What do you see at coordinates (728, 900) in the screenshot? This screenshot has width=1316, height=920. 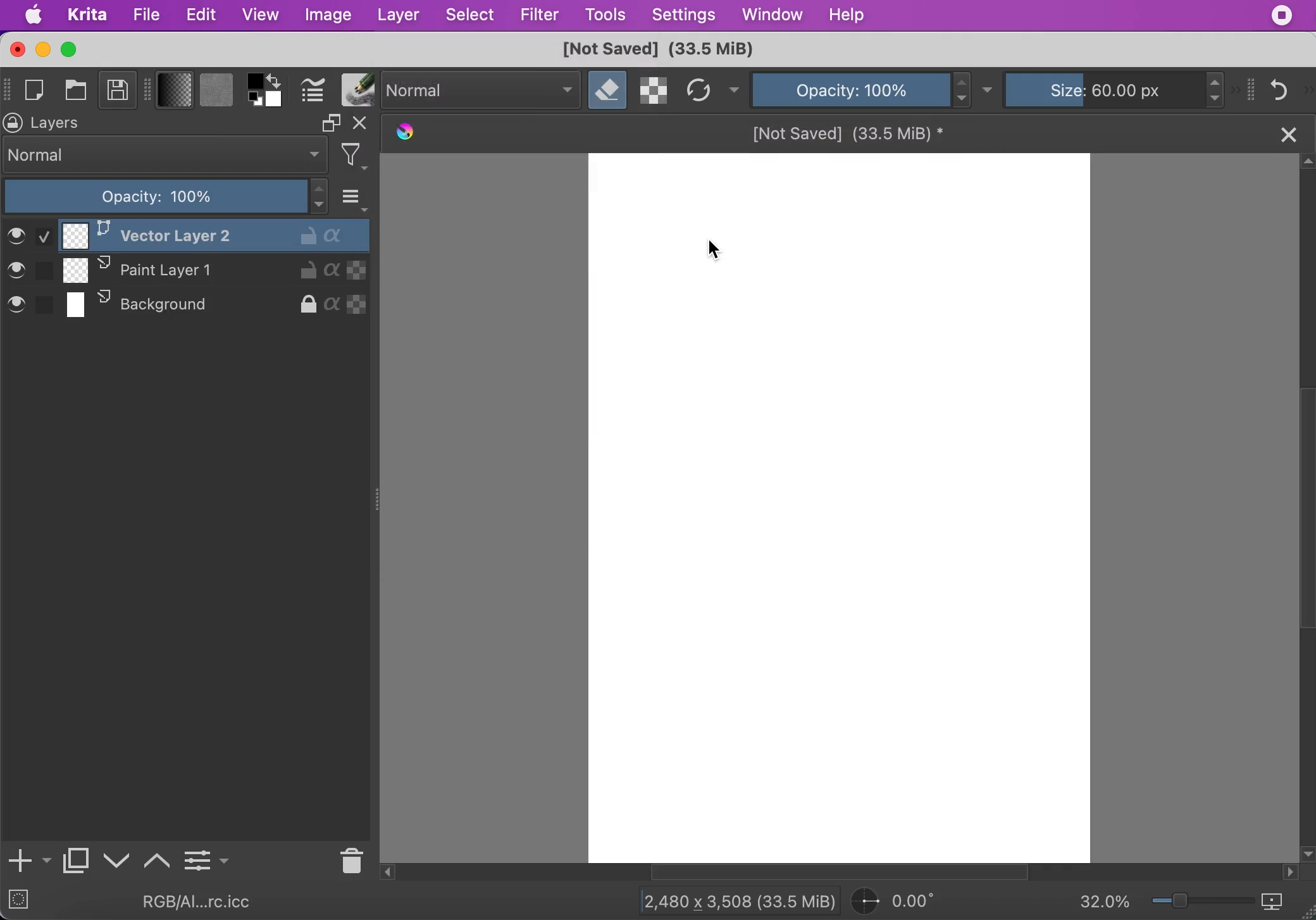 I see `2,480*3,505 (33.5 MiB)` at bounding box center [728, 900].